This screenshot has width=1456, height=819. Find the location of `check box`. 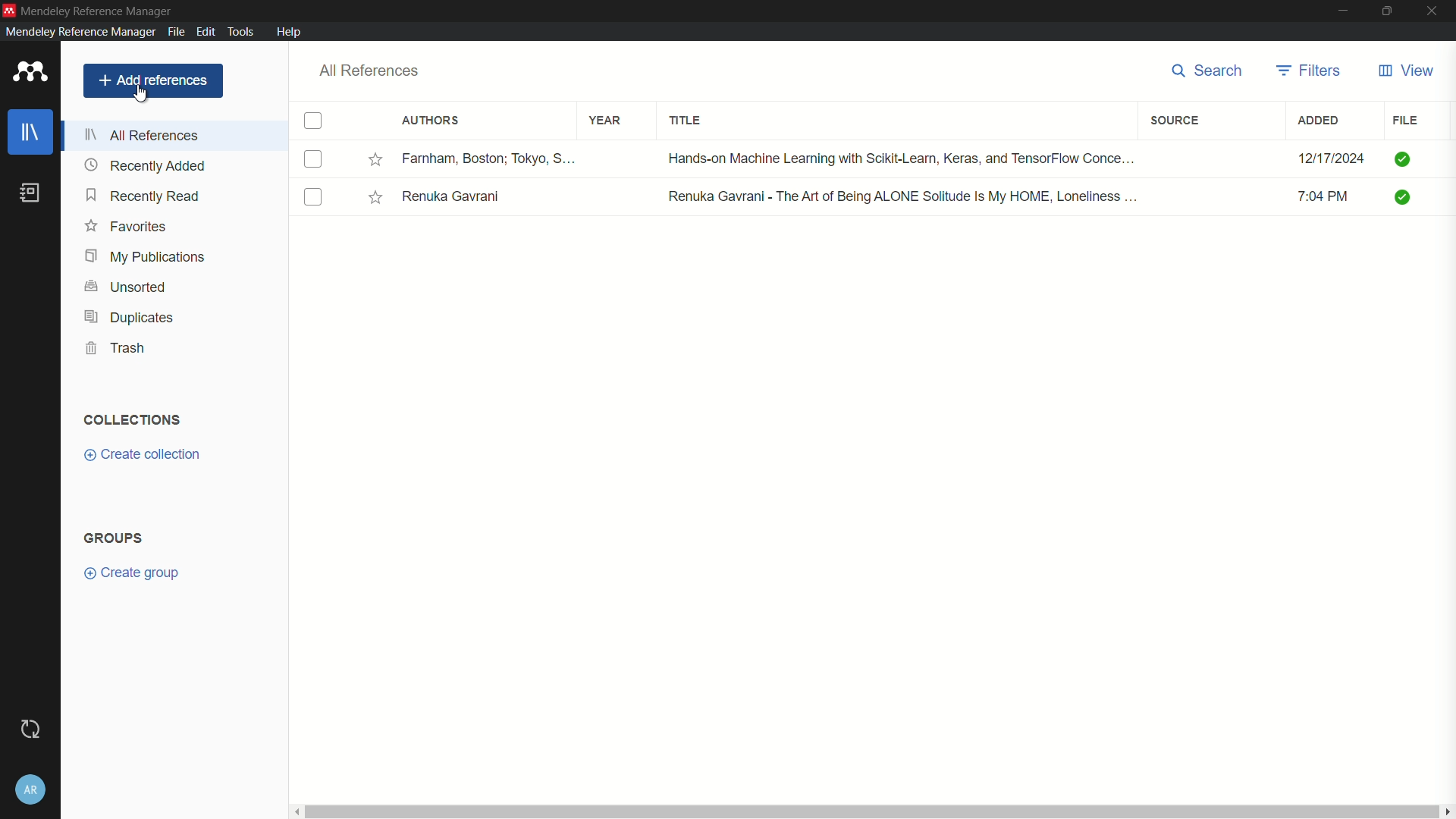

check box is located at coordinates (313, 122).